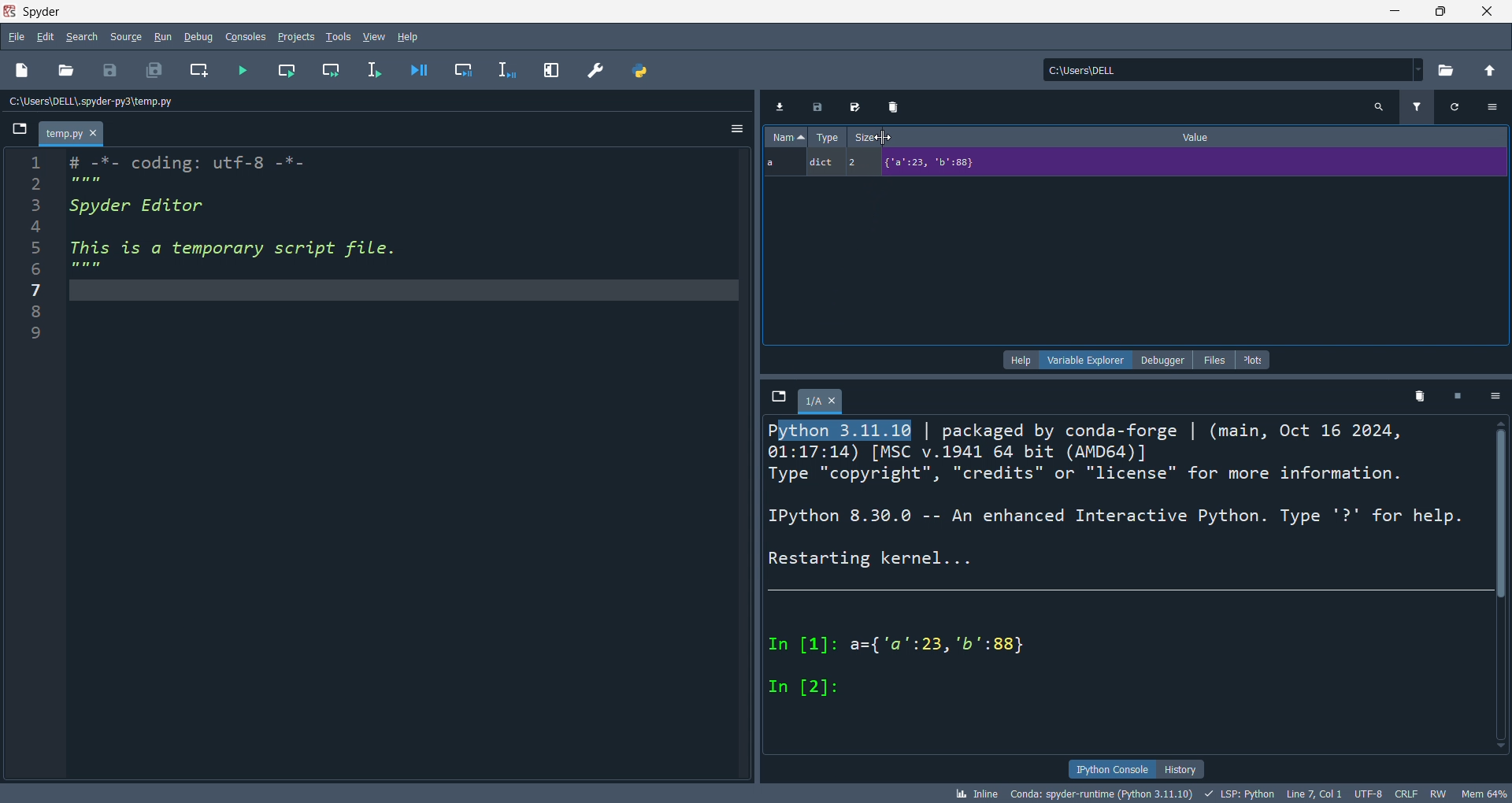 The height and width of the screenshot is (803, 1512). What do you see at coordinates (1134, 586) in the screenshot?
I see `ipython console pane` at bounding box center [1134, 586].